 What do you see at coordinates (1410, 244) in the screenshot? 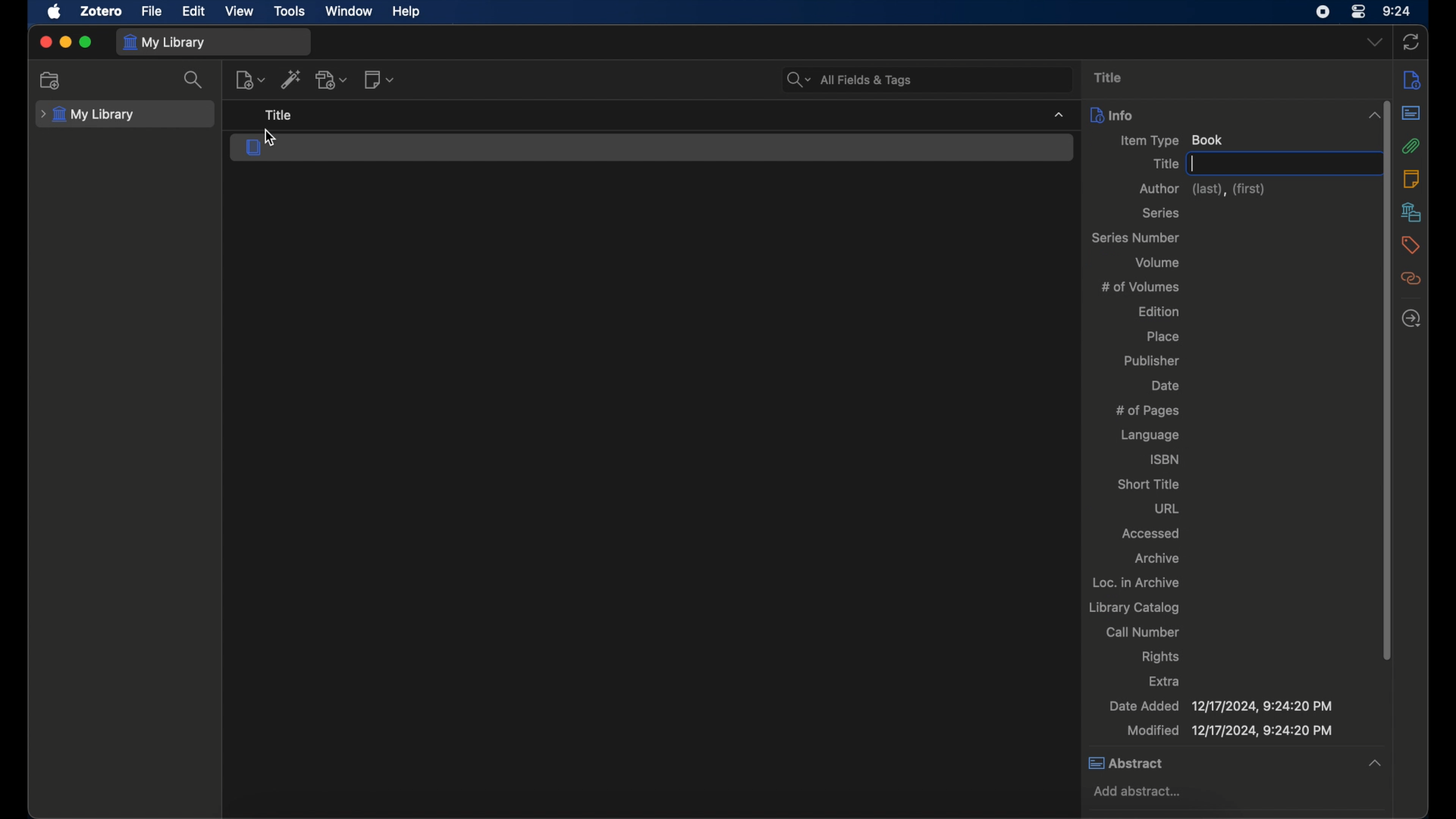
I see `tags` at bounding box center [1410, 244].